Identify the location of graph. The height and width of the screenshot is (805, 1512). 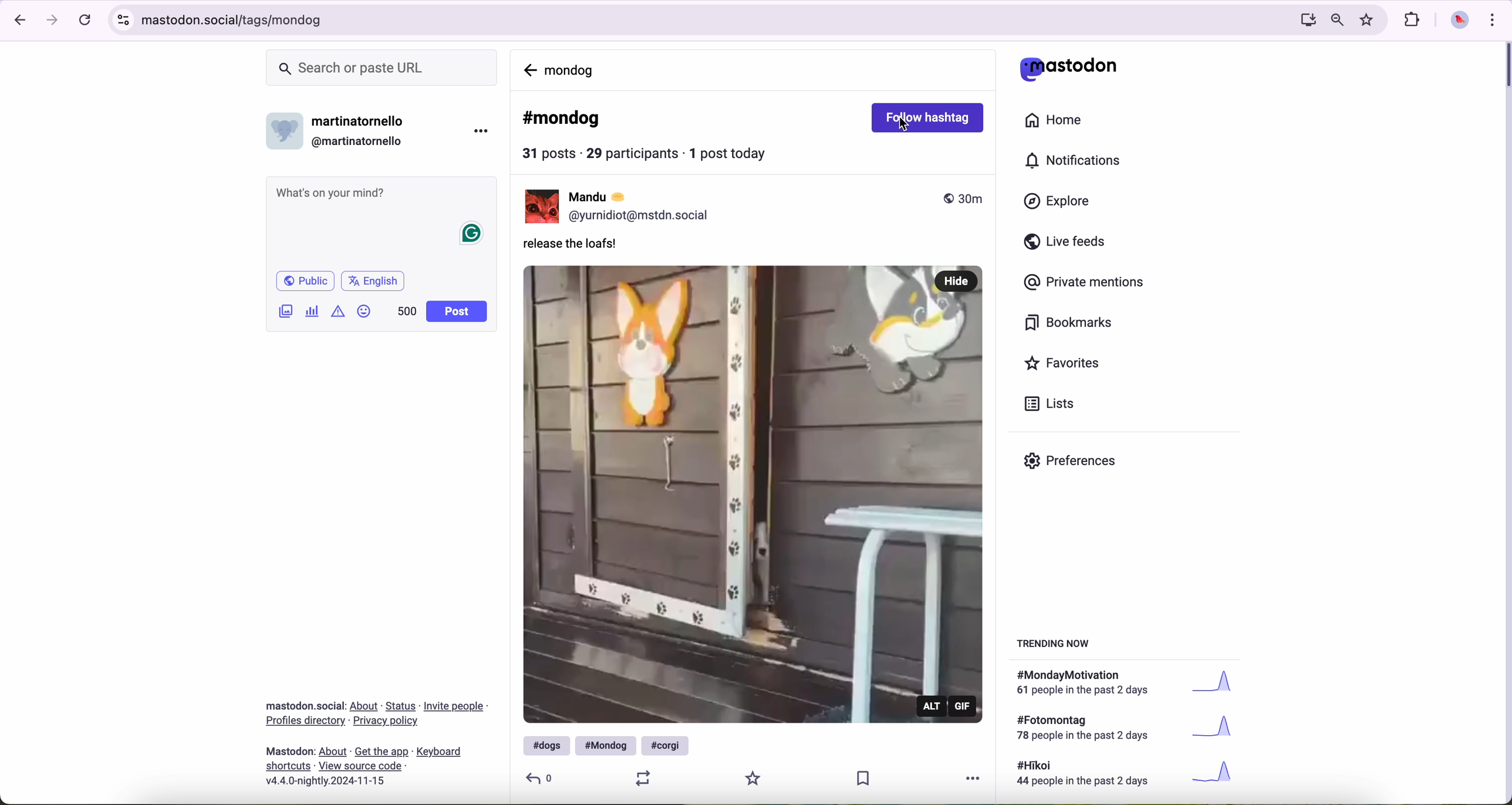
(1217, 773).